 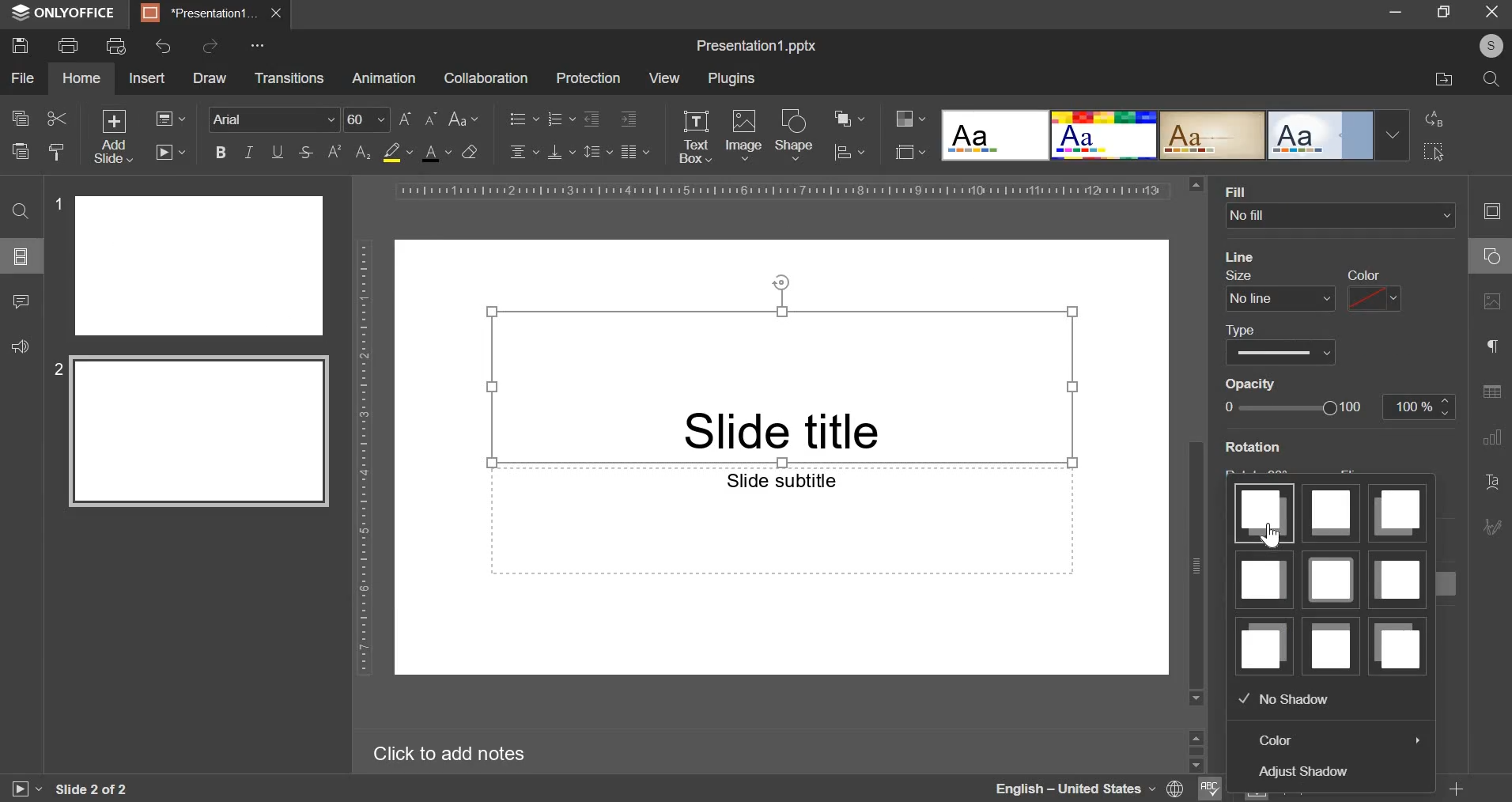 What do you see at coordinates (115, 137) in the screenshot?
I see `add slide` at bounding box center [115, 137].